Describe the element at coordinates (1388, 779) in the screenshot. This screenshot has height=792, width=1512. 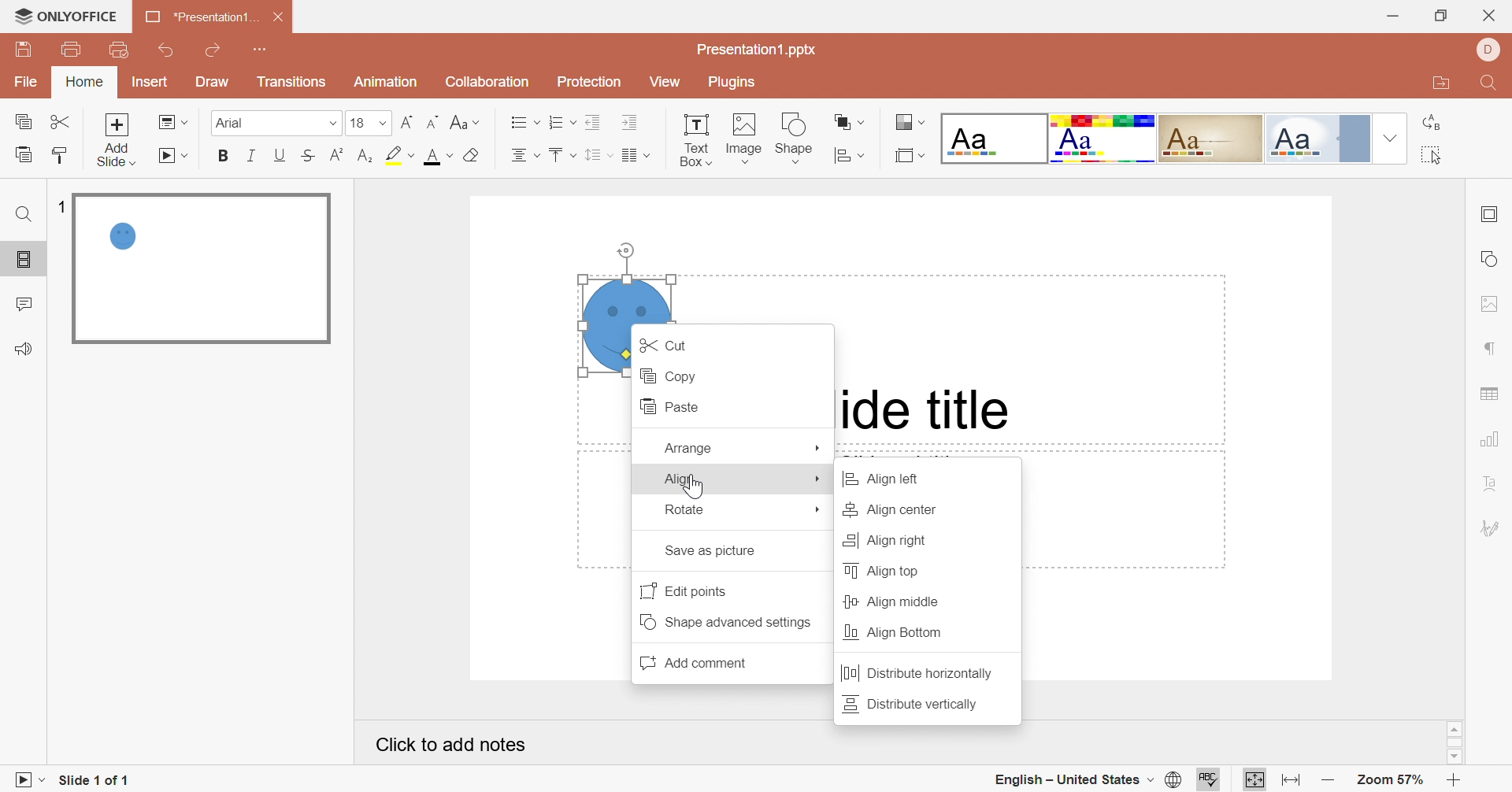
I see `Zoom 57%` at that location.